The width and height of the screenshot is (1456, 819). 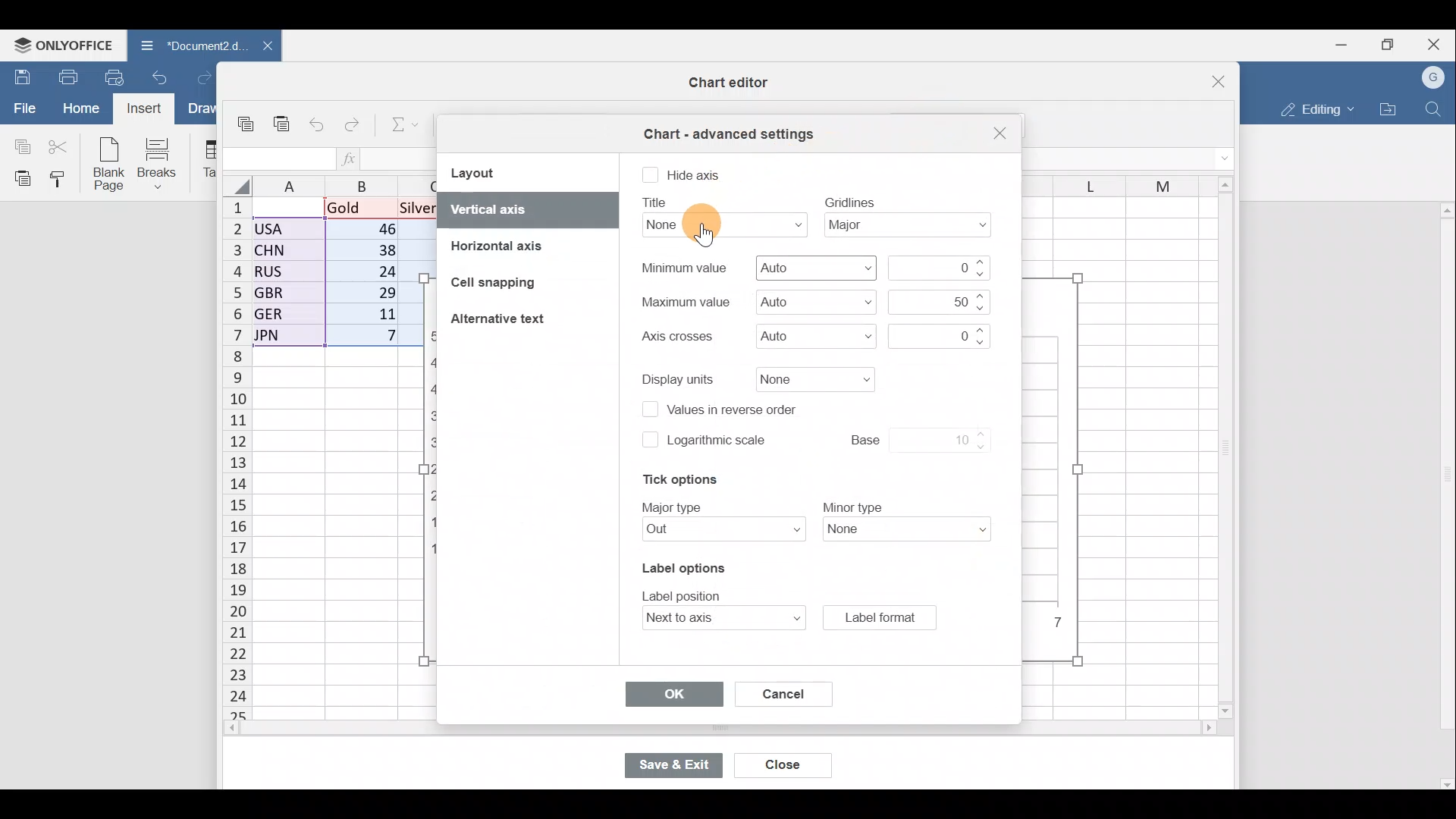 I want to click on text, so click(x=679, y=378).